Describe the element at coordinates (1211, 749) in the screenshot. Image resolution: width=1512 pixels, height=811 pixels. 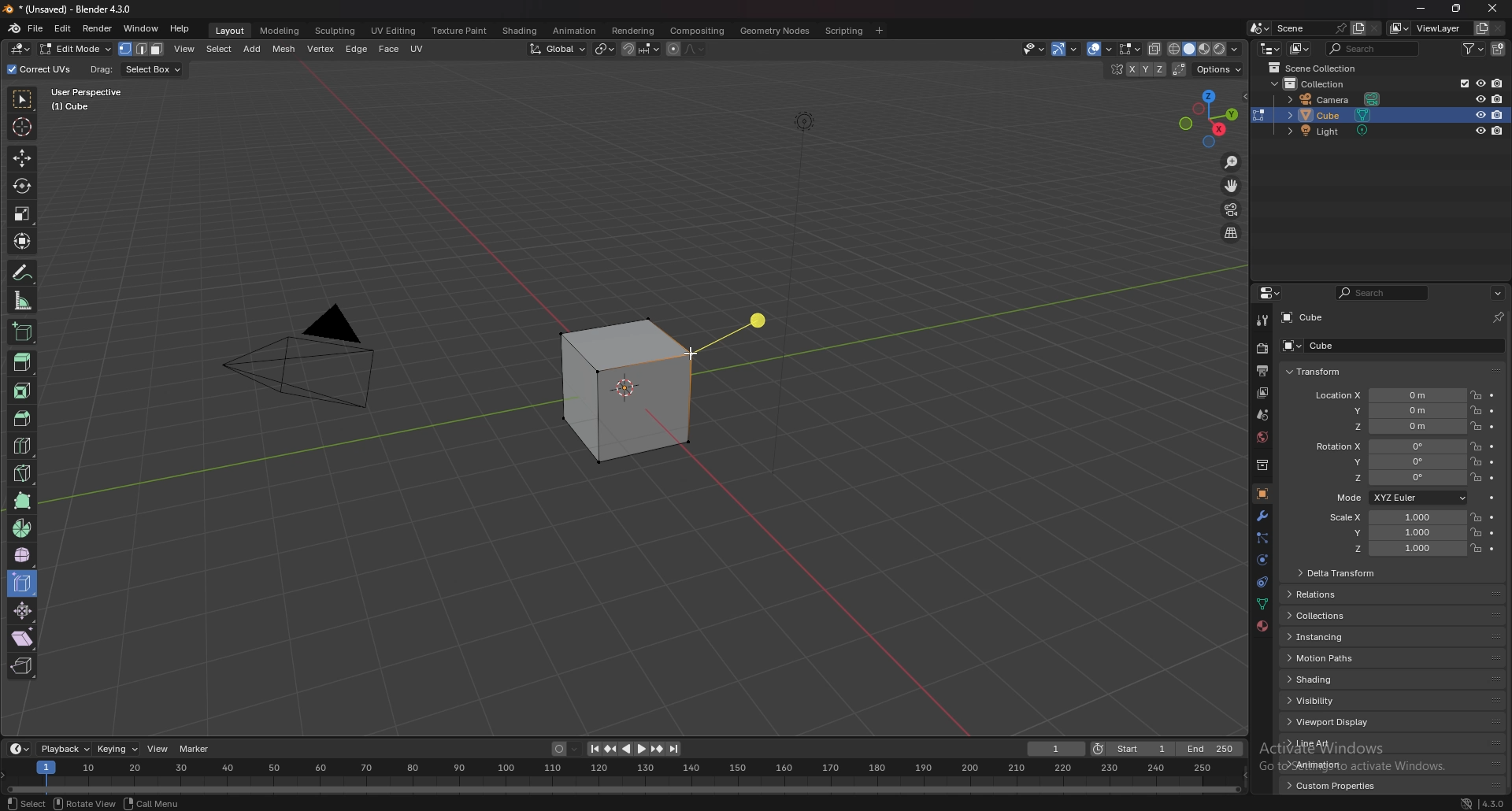
I see `end frame` at that location.